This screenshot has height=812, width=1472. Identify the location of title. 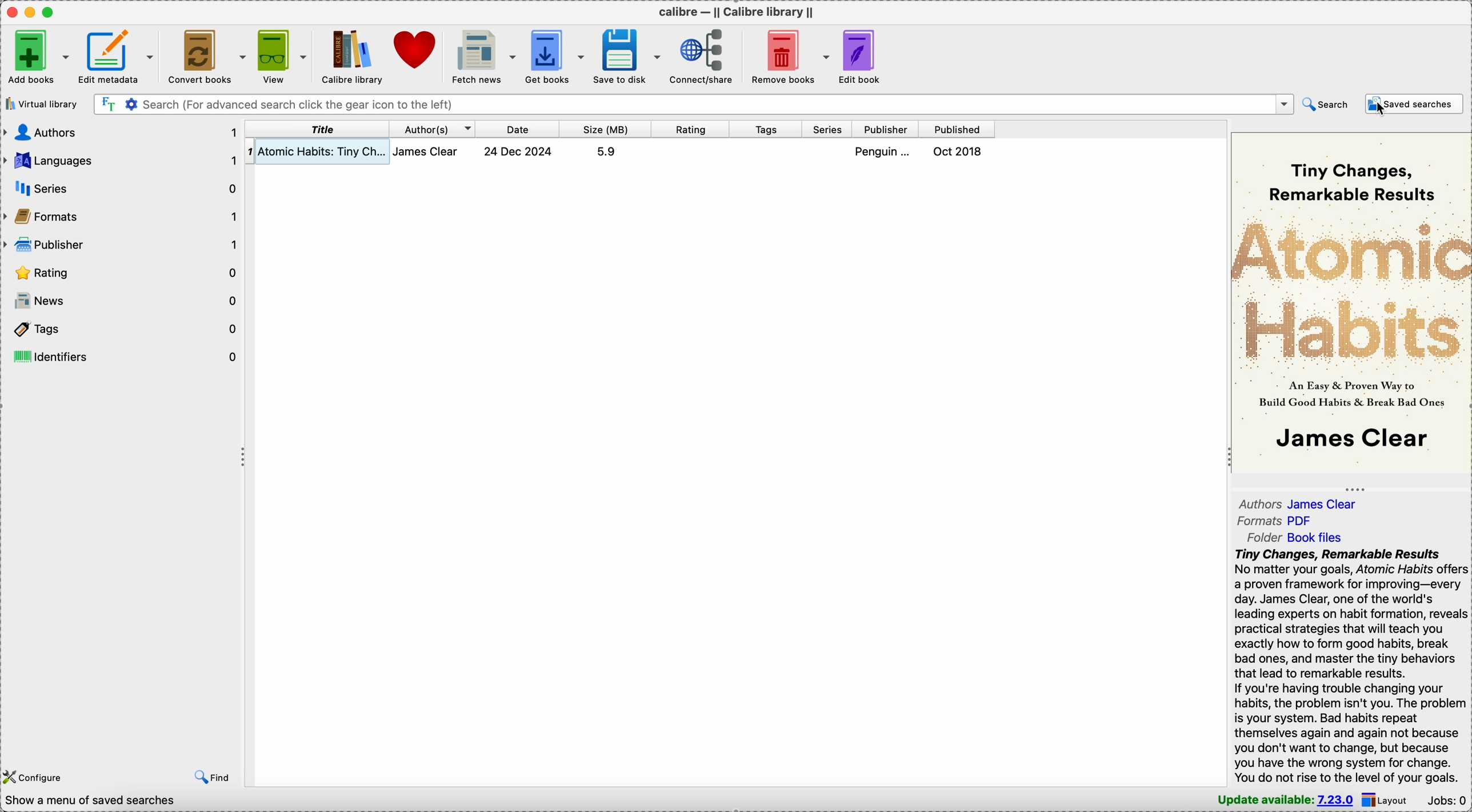
(318, 129).